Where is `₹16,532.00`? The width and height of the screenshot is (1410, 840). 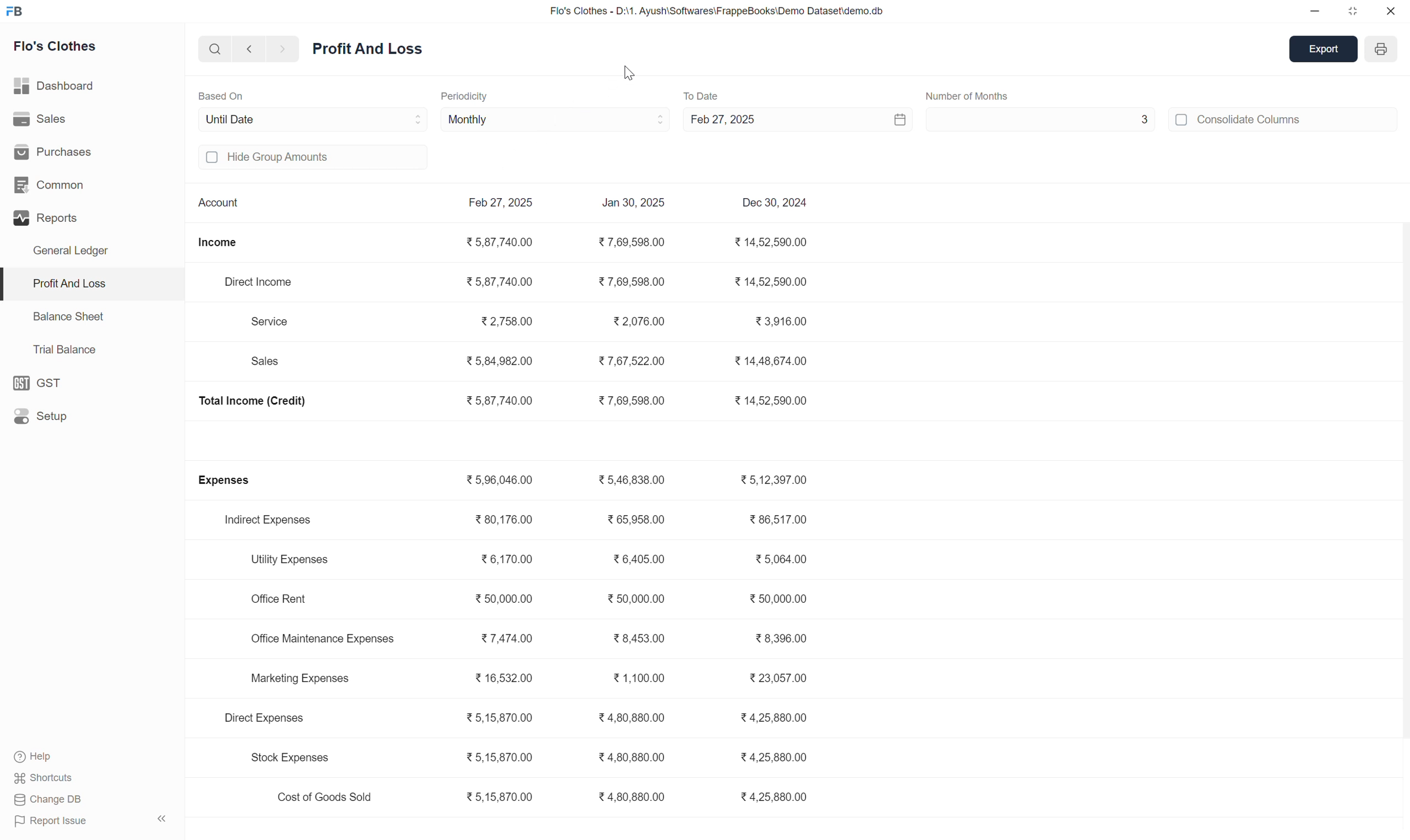 ₹16,532.00 is located at coordinates (495, 678).